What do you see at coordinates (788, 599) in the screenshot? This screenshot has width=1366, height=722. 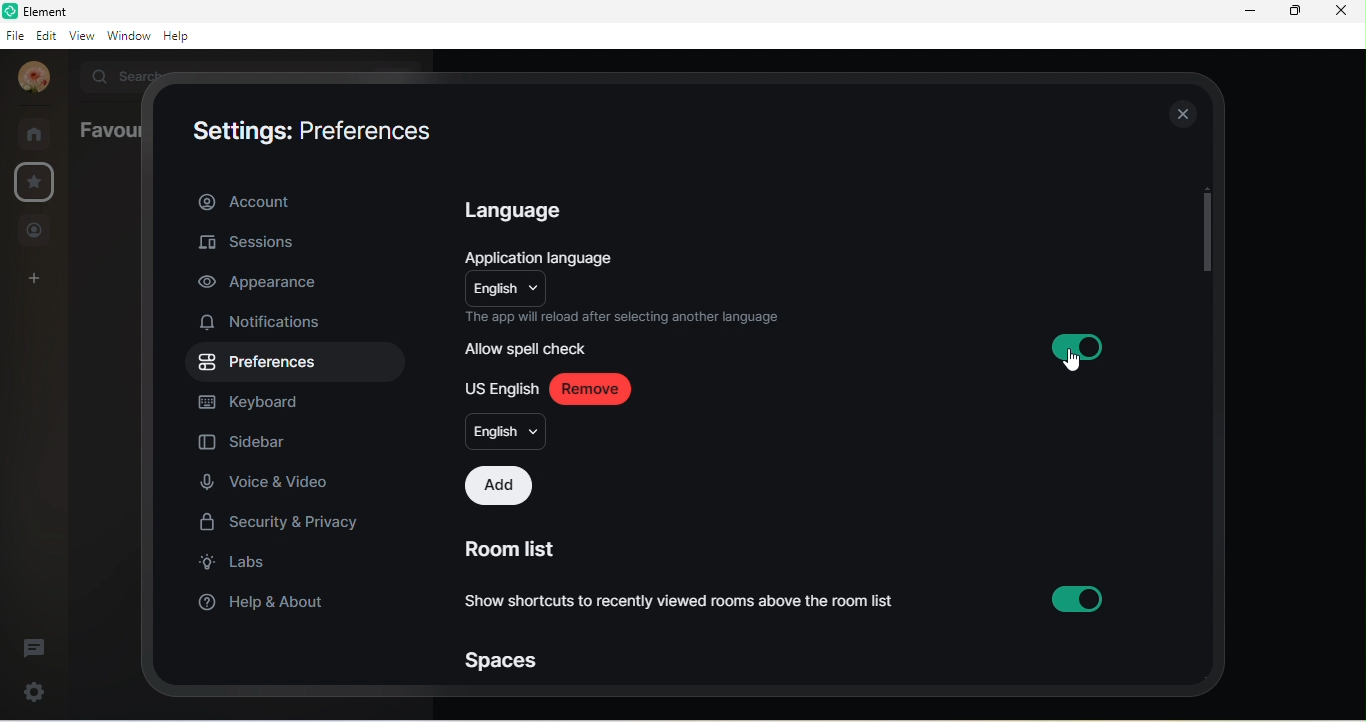 I see `show shortcuts to recently viewed rooms above the room list` at bounding box center [788, 599].